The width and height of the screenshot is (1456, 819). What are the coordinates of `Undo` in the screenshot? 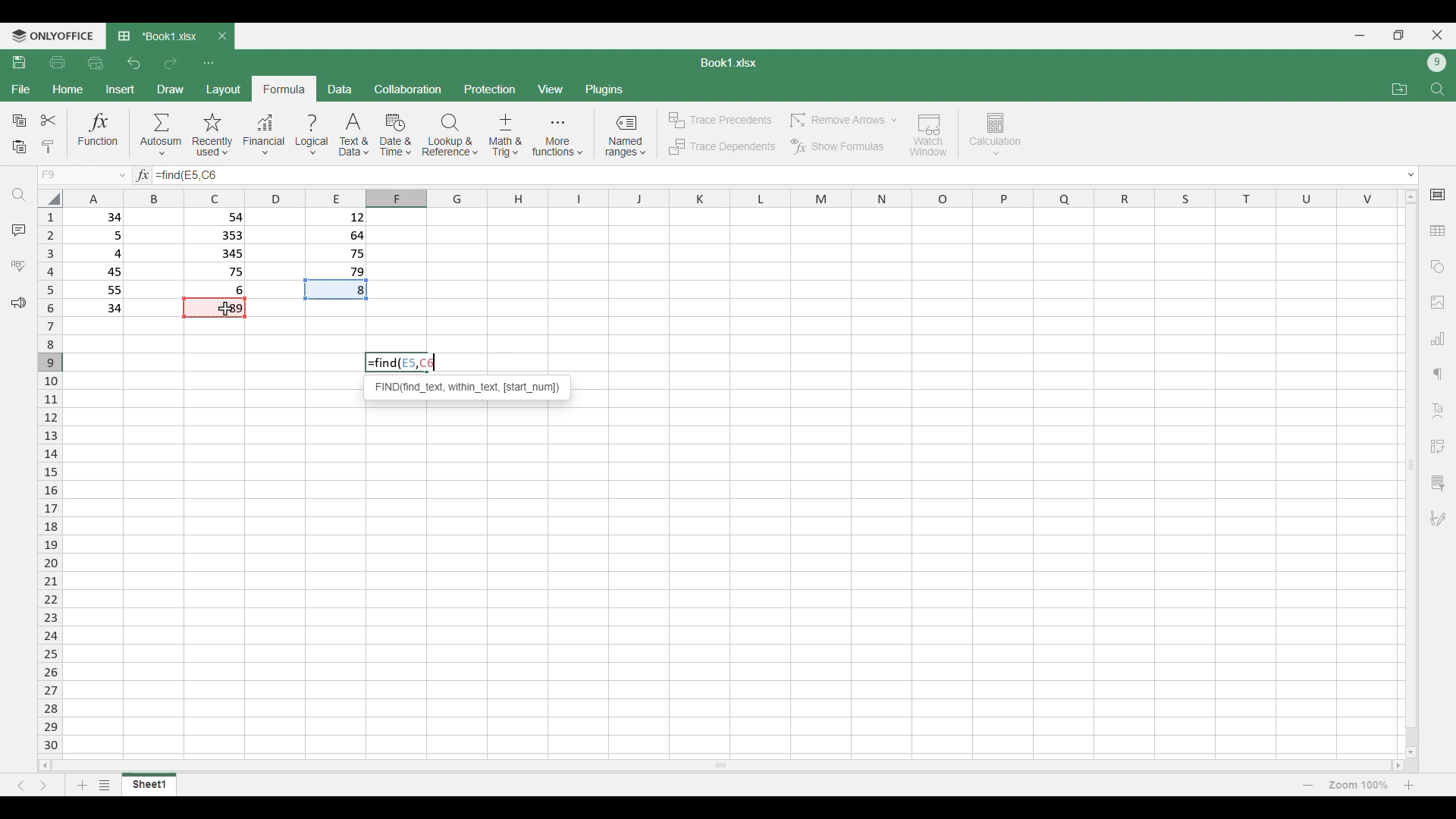 It's located at (135, 63).